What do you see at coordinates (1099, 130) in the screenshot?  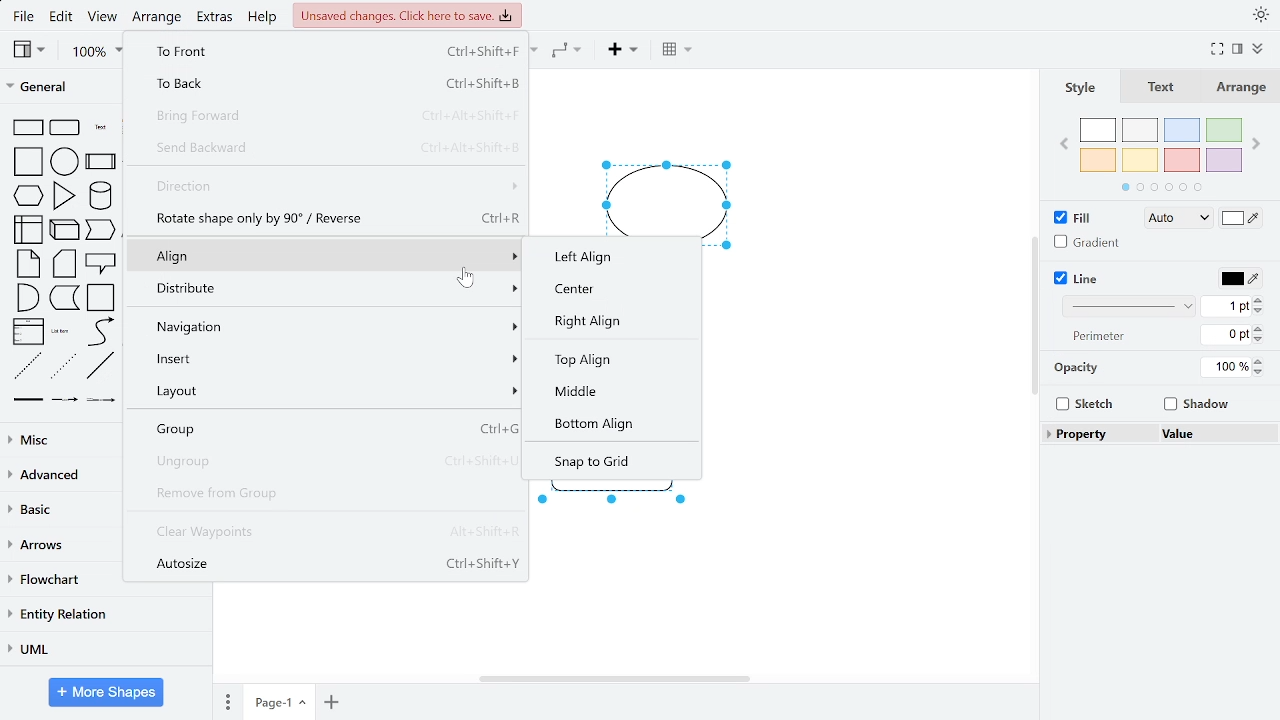 I see `white` at bounding box center [1099, 130].